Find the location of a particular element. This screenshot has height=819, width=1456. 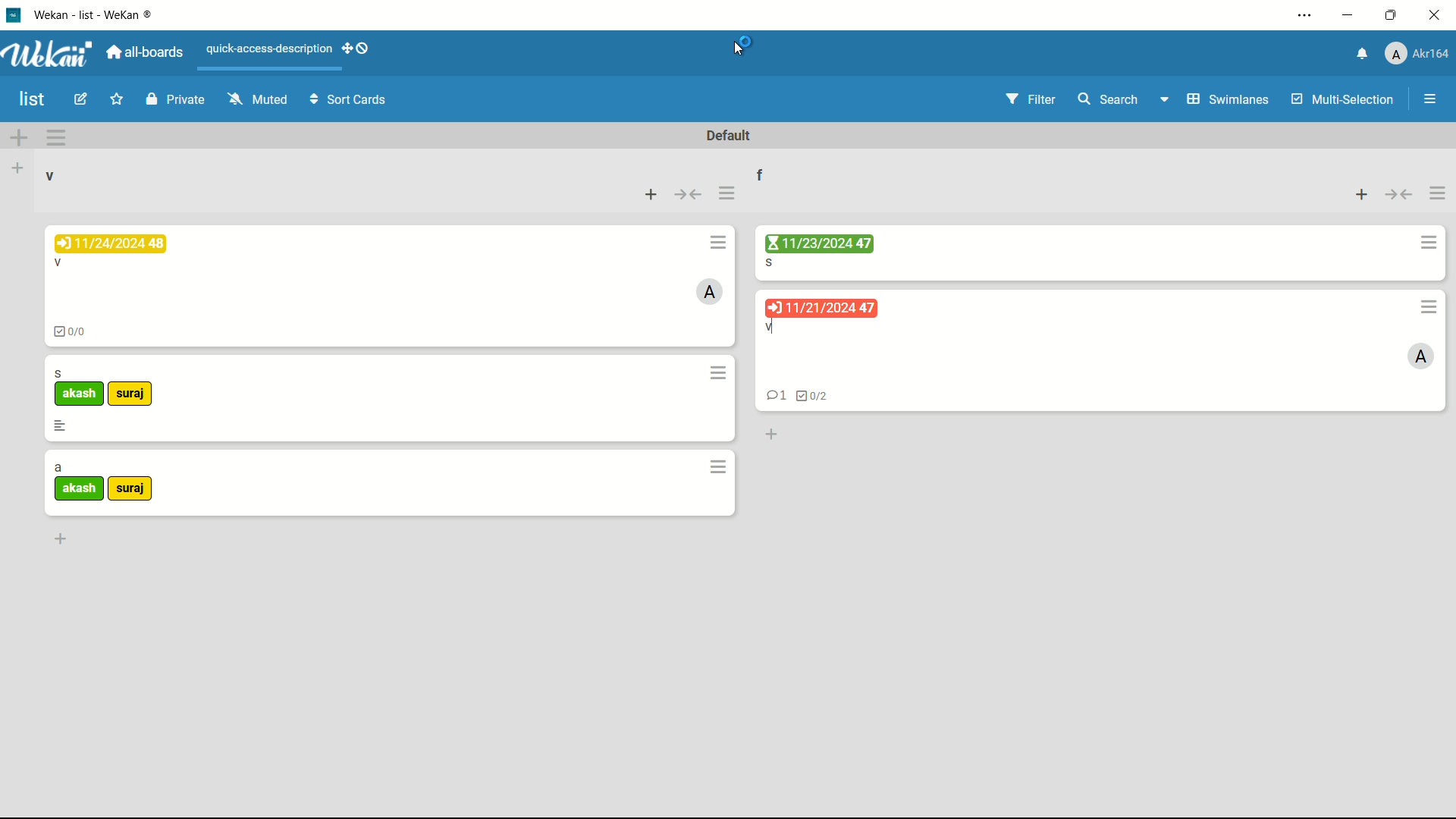

swimlane actions is located at coordinates (56, 138).